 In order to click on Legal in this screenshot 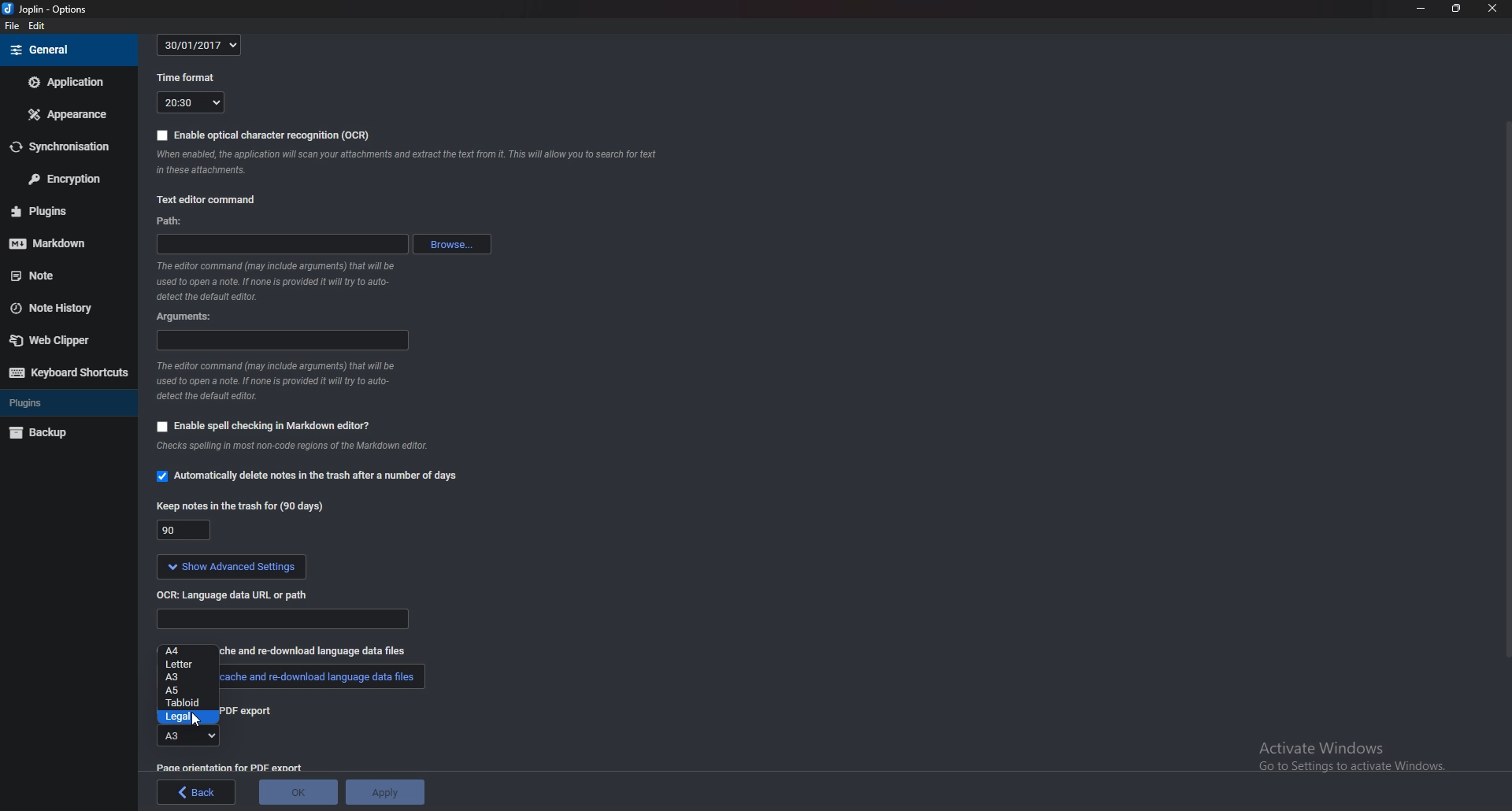, I will do `click(187, 718)`.